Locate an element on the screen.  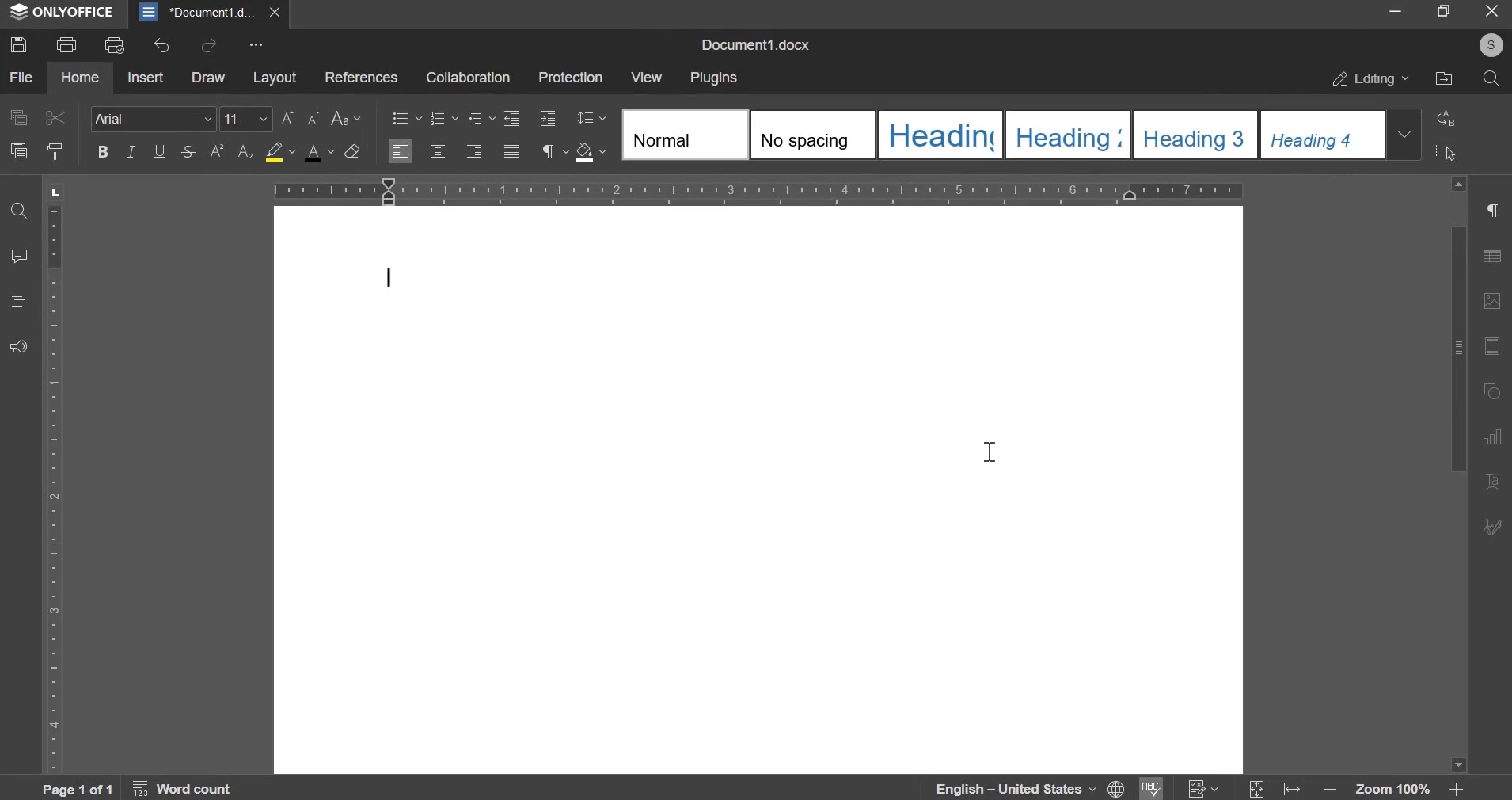
text cursor is located at coordinates (990, 451).